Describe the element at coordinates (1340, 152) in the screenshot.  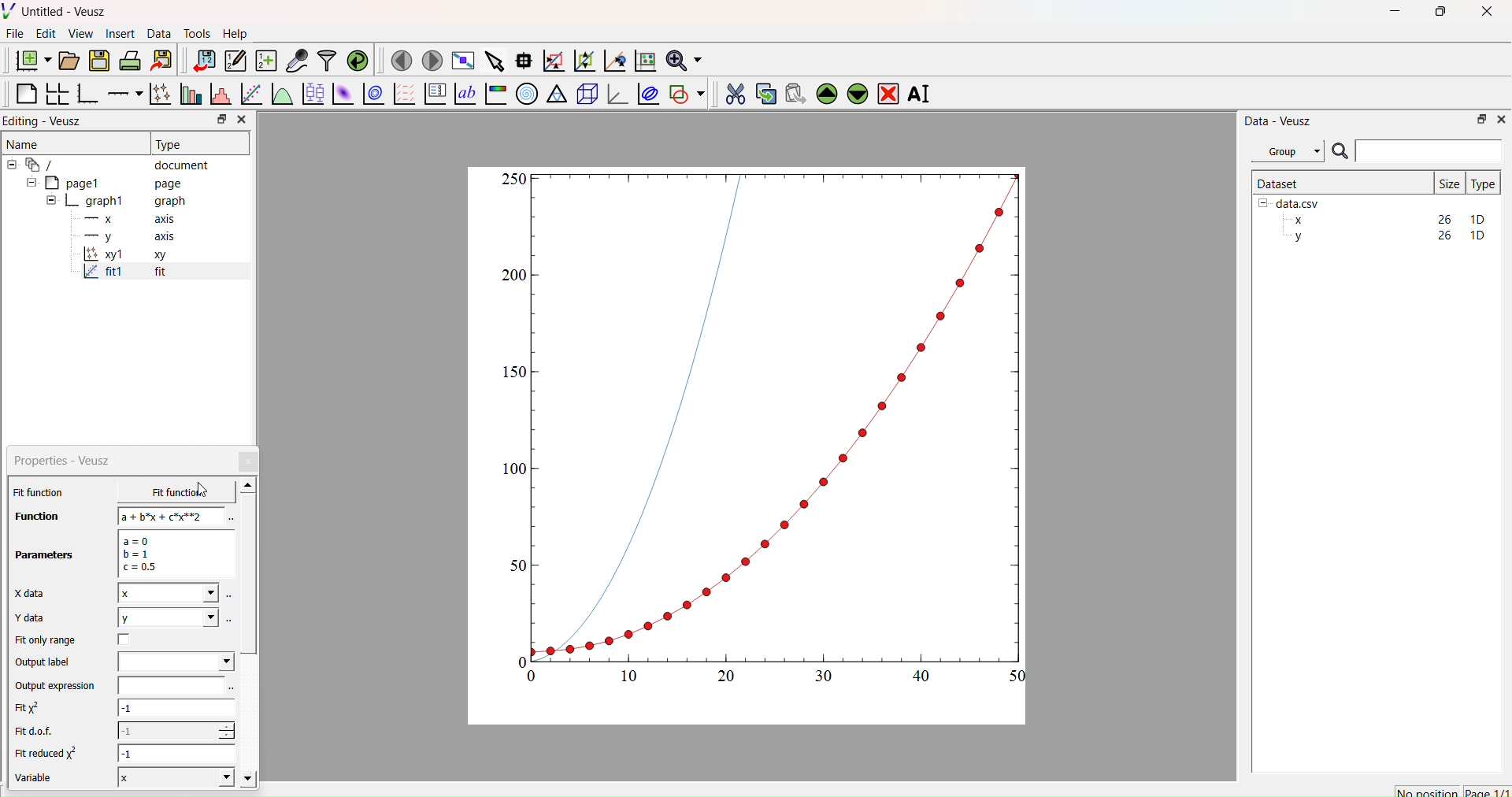
I see `Search` at that location.